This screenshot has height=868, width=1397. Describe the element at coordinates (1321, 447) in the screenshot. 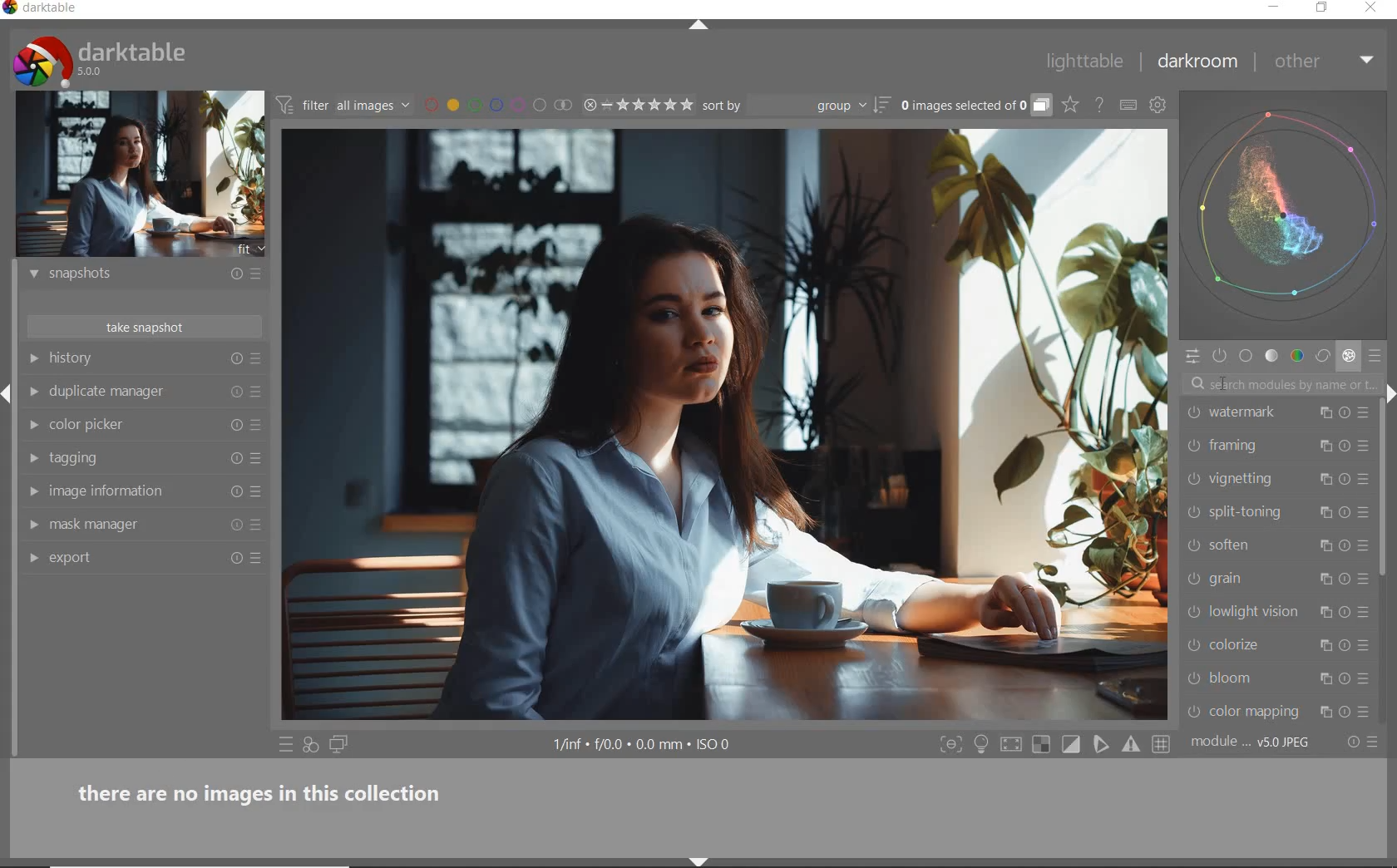

I see `multiple instance actions` at that location.